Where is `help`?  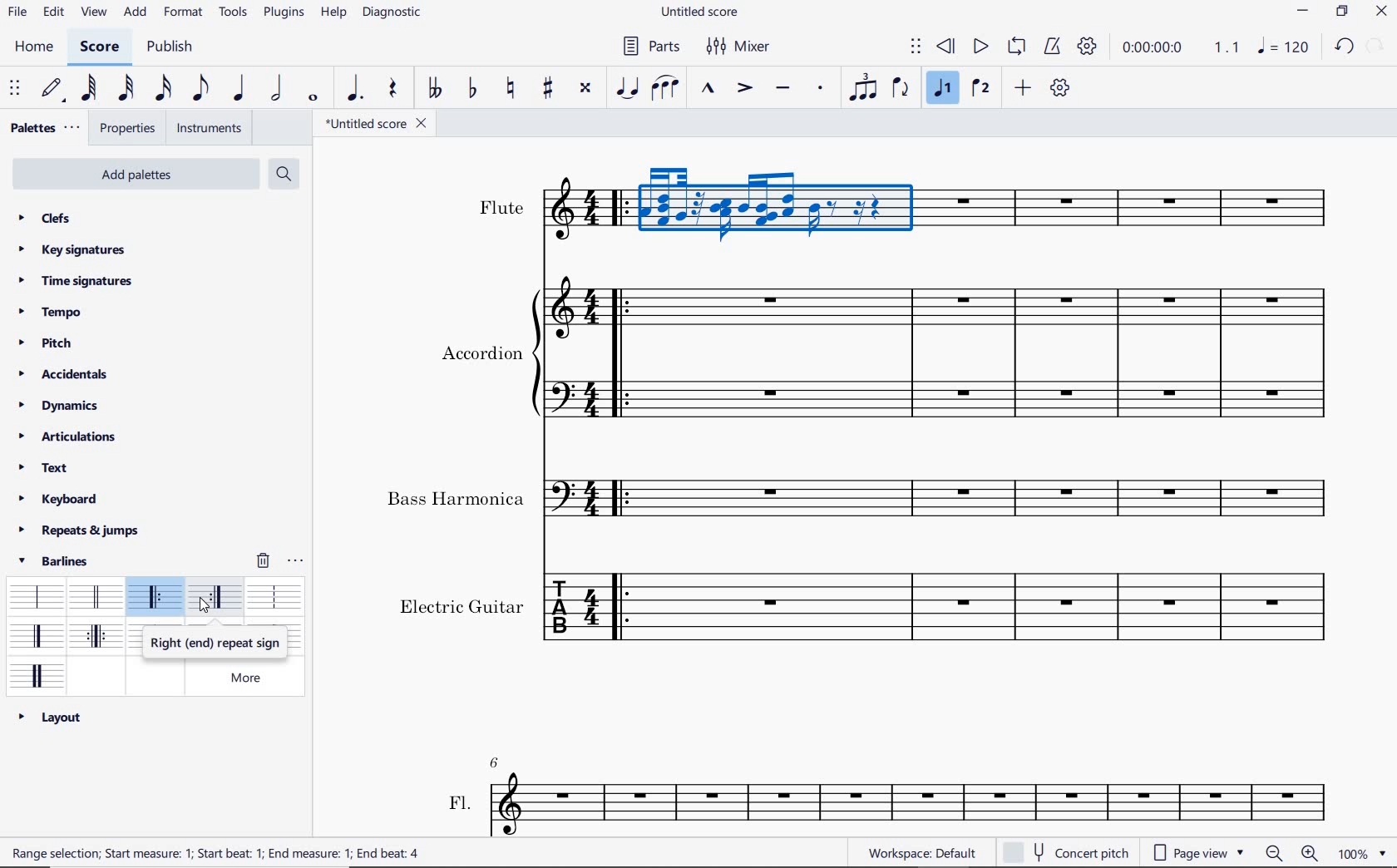 help is located at coordinates (333, 13).